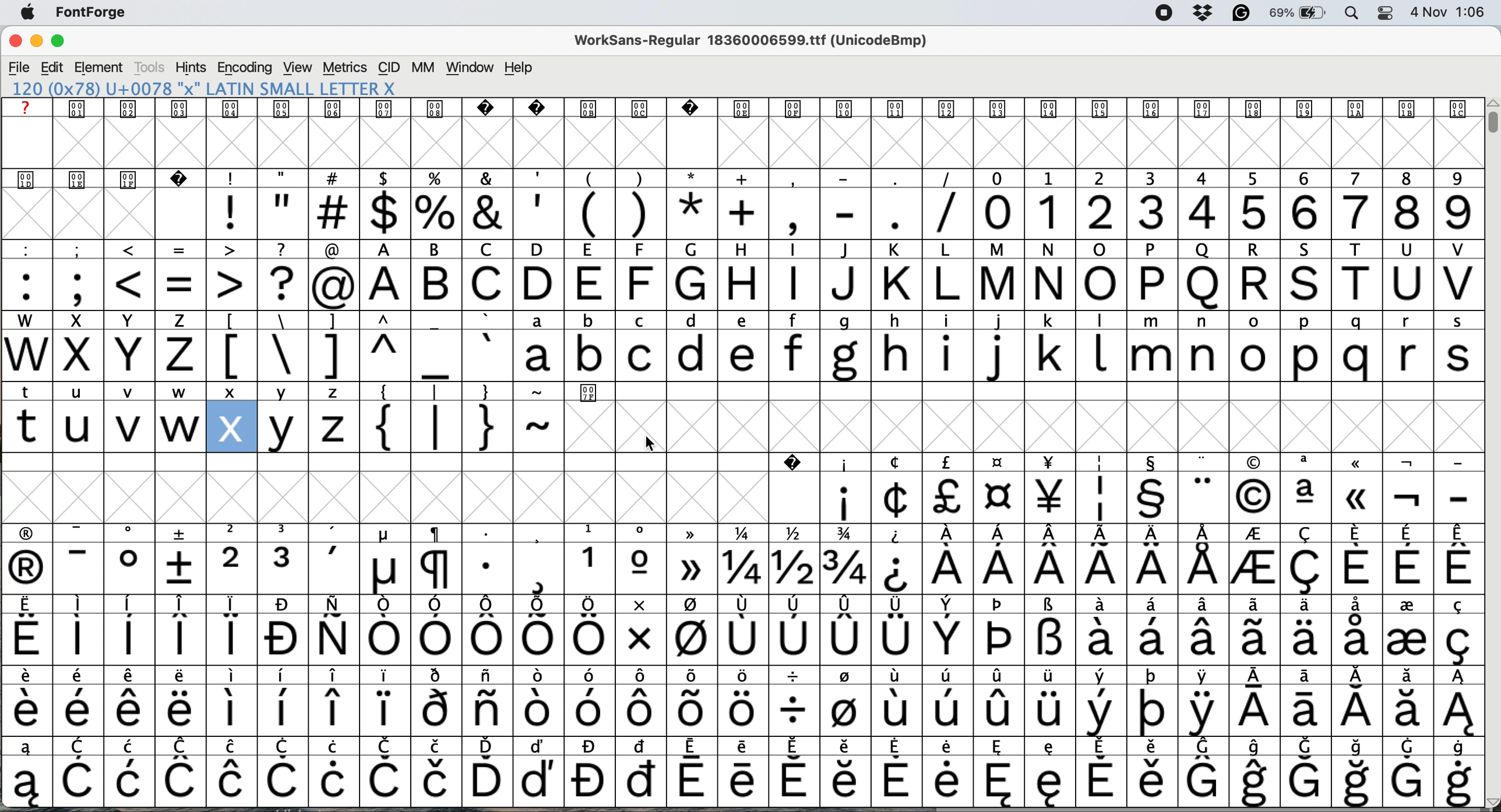  Describe the element at coordinates (311, 427) in the screenshot. I see `v z: lower case letters` at that location.